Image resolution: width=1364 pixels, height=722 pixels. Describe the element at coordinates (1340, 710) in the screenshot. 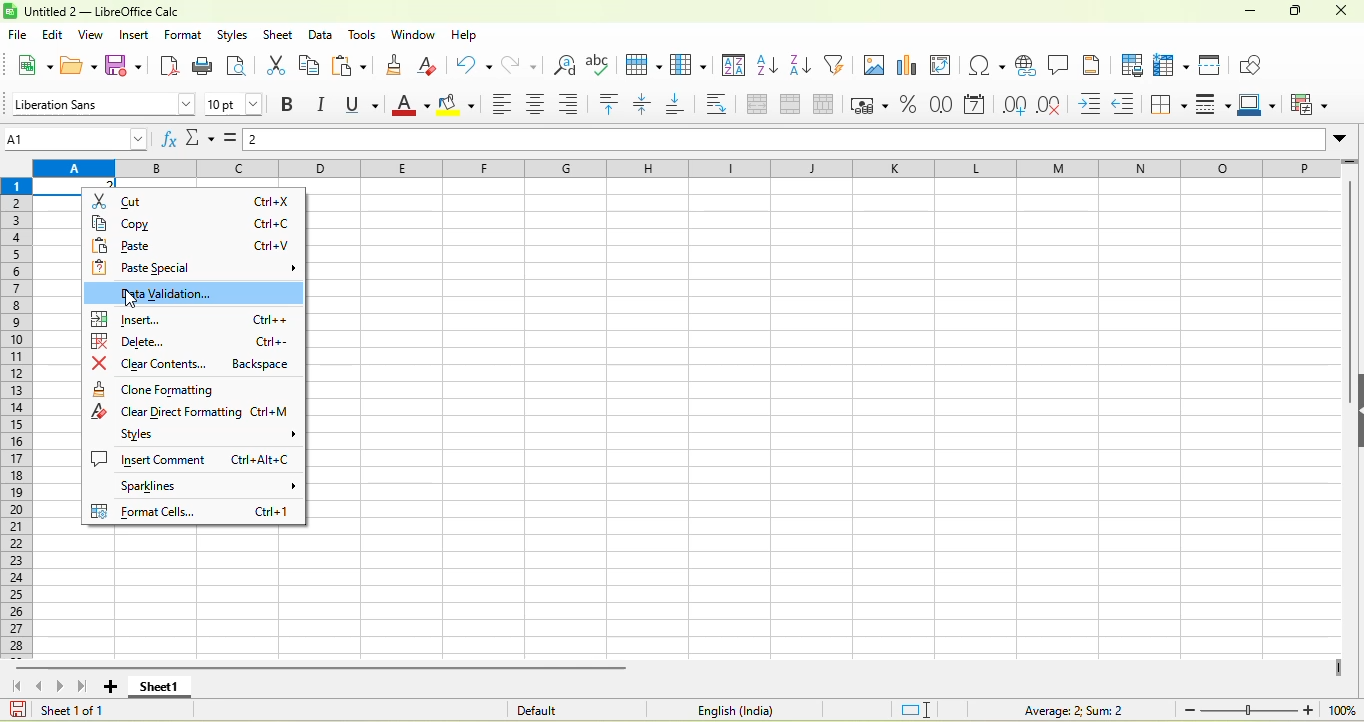

I see `100%` at that location.